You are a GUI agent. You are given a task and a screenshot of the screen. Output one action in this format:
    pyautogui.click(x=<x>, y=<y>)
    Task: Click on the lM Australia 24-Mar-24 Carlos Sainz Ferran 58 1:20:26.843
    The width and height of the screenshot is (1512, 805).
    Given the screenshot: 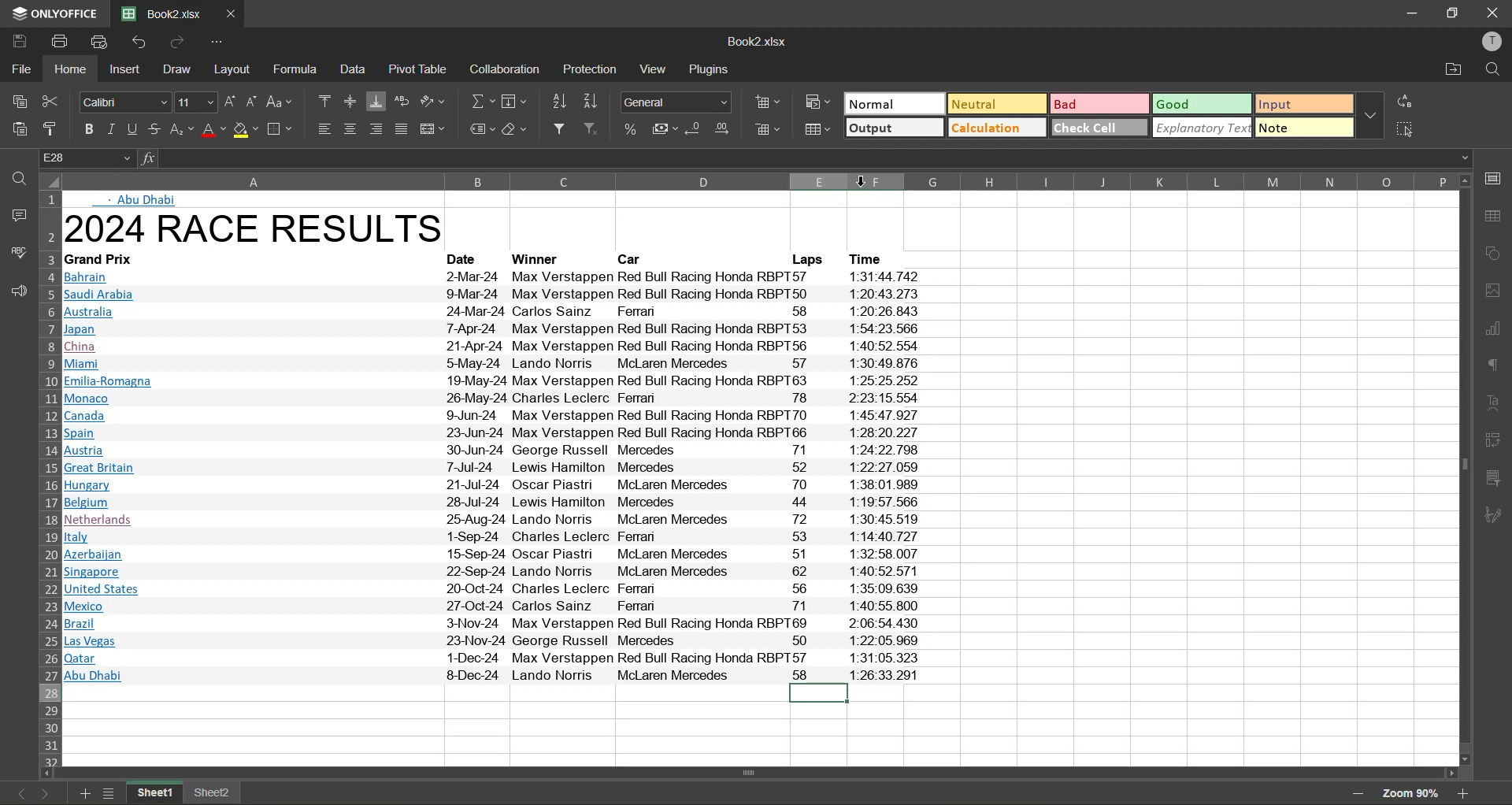 What is the action you would take?
    pyautogui.click(x=498, y=311)
    